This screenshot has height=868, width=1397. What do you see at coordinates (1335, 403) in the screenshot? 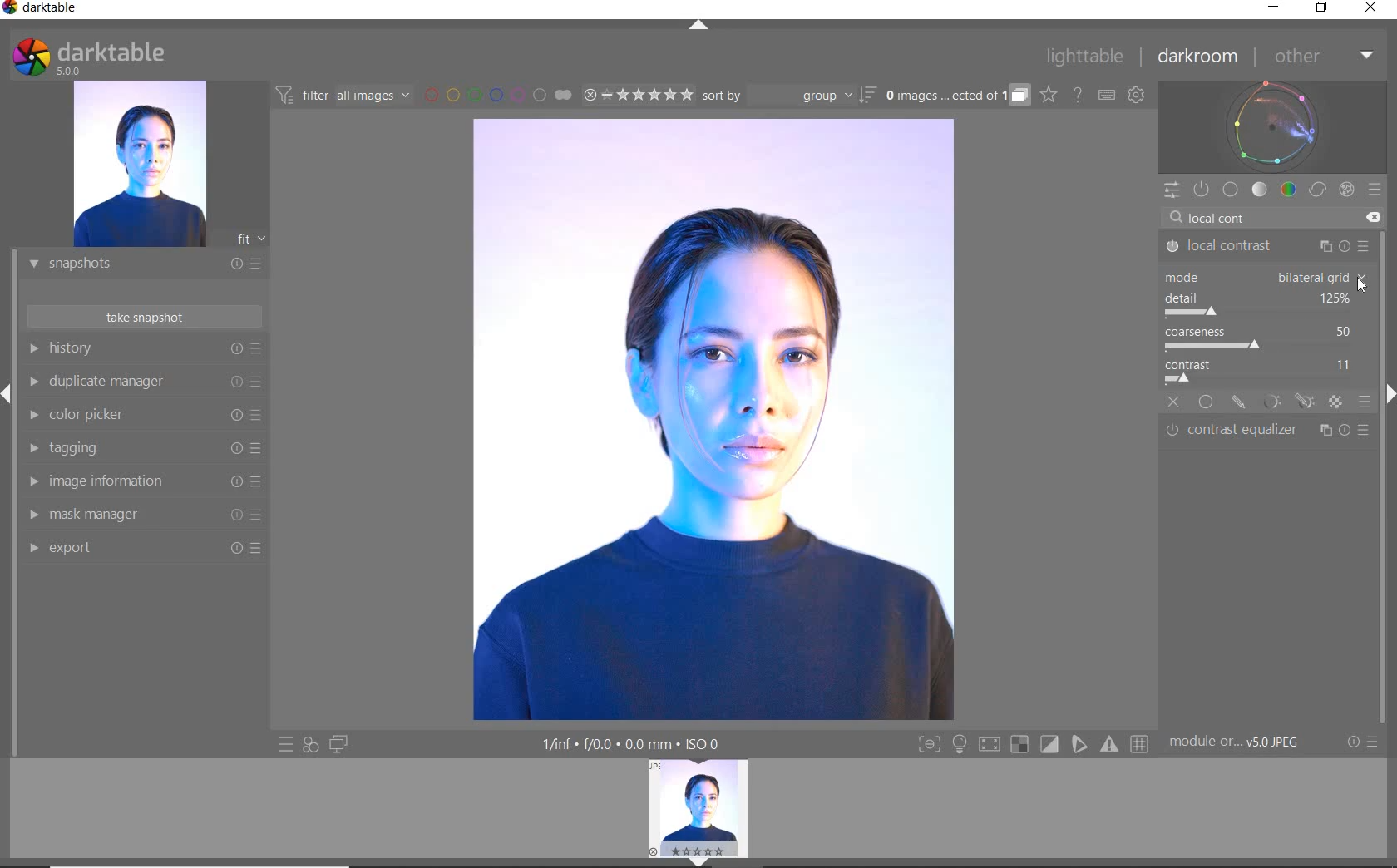
I see `MASK OPTION` at bounding box center [1335, 403].